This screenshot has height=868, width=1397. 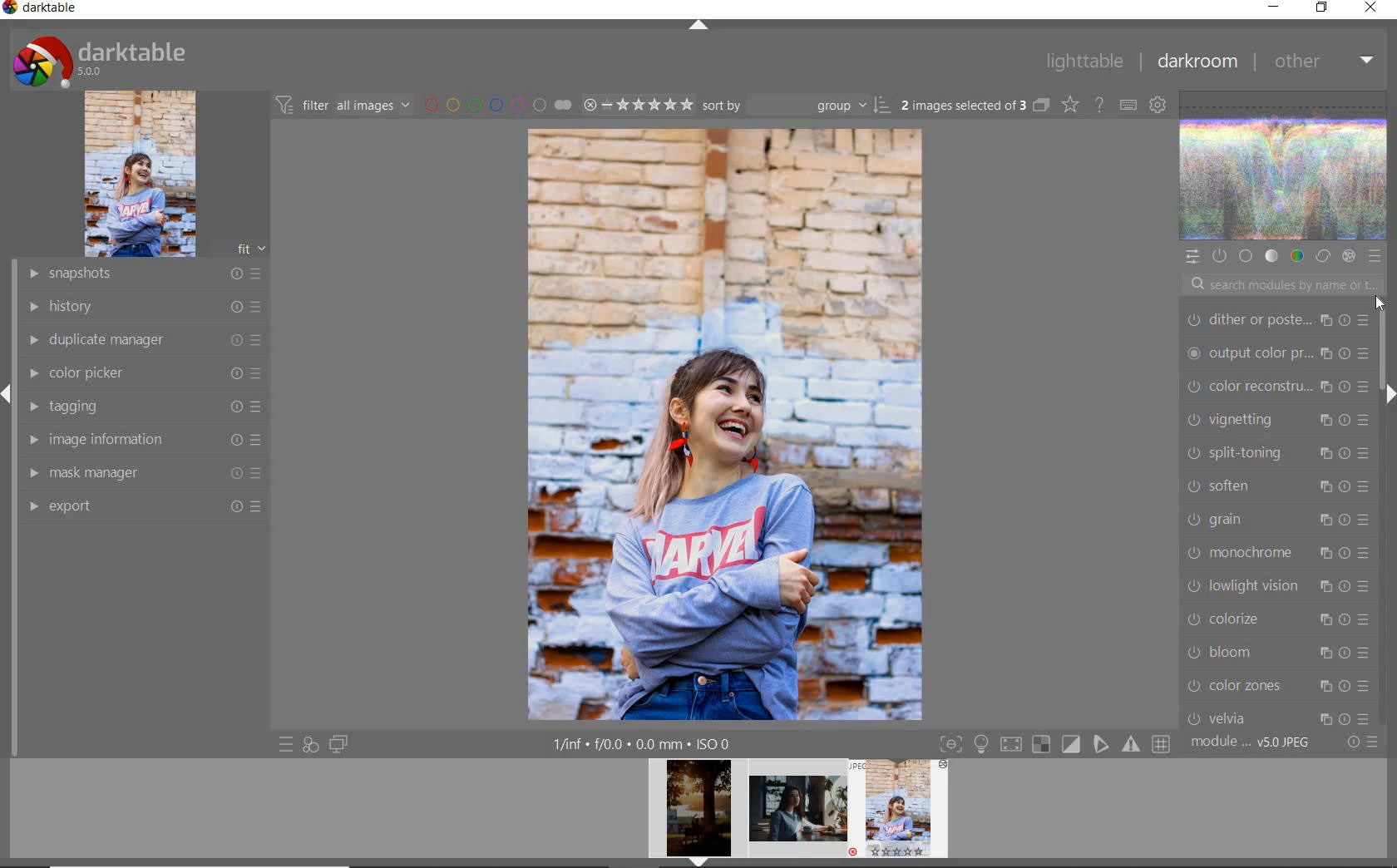 What do you see at coordinates (1069, 104) in the screenshot?
I see `CHANGE TYPE OF OVERLAYS` at bounding box center [1069, 104].